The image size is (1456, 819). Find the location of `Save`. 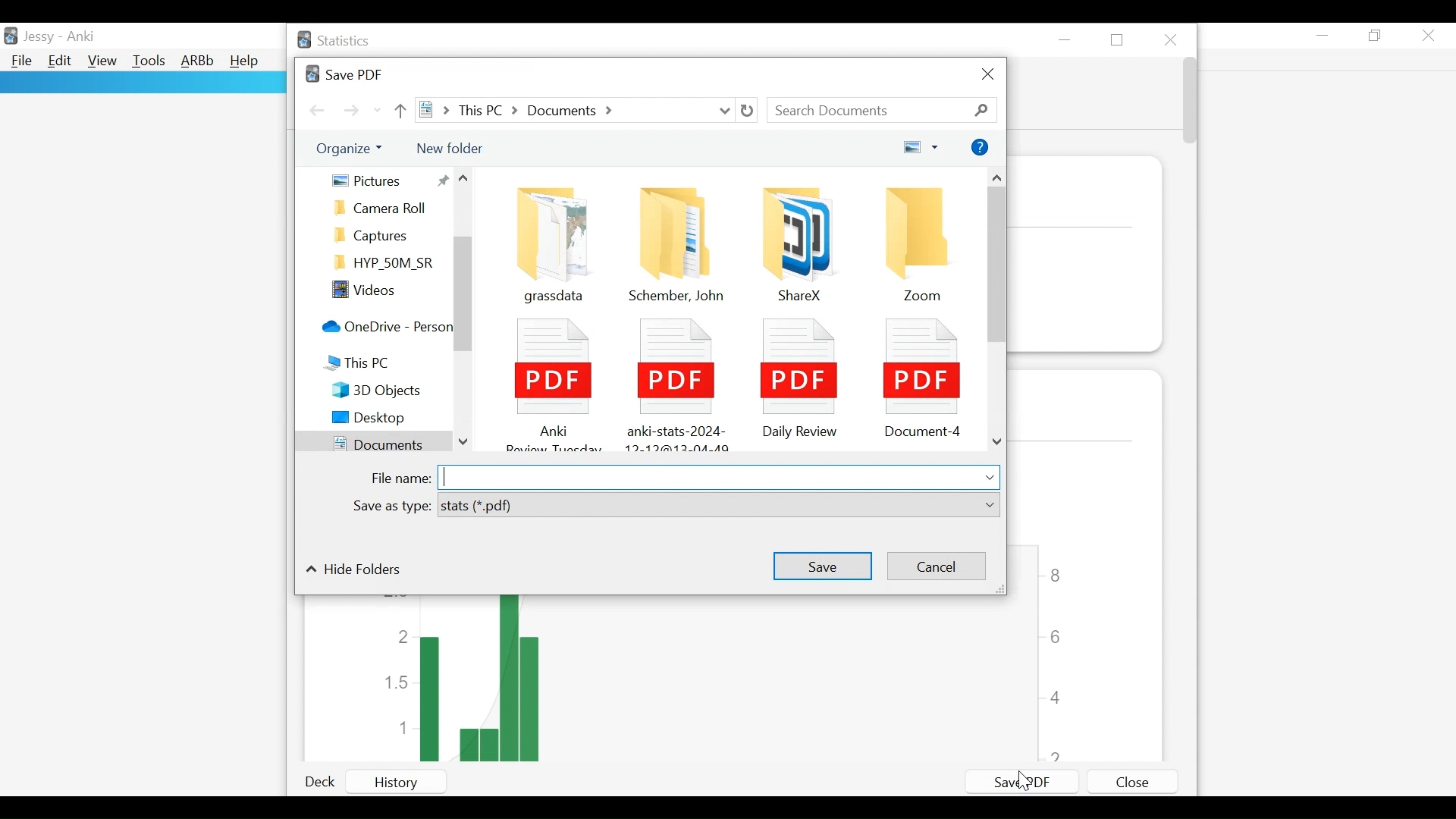

Save is located at coordinates (821, 564).